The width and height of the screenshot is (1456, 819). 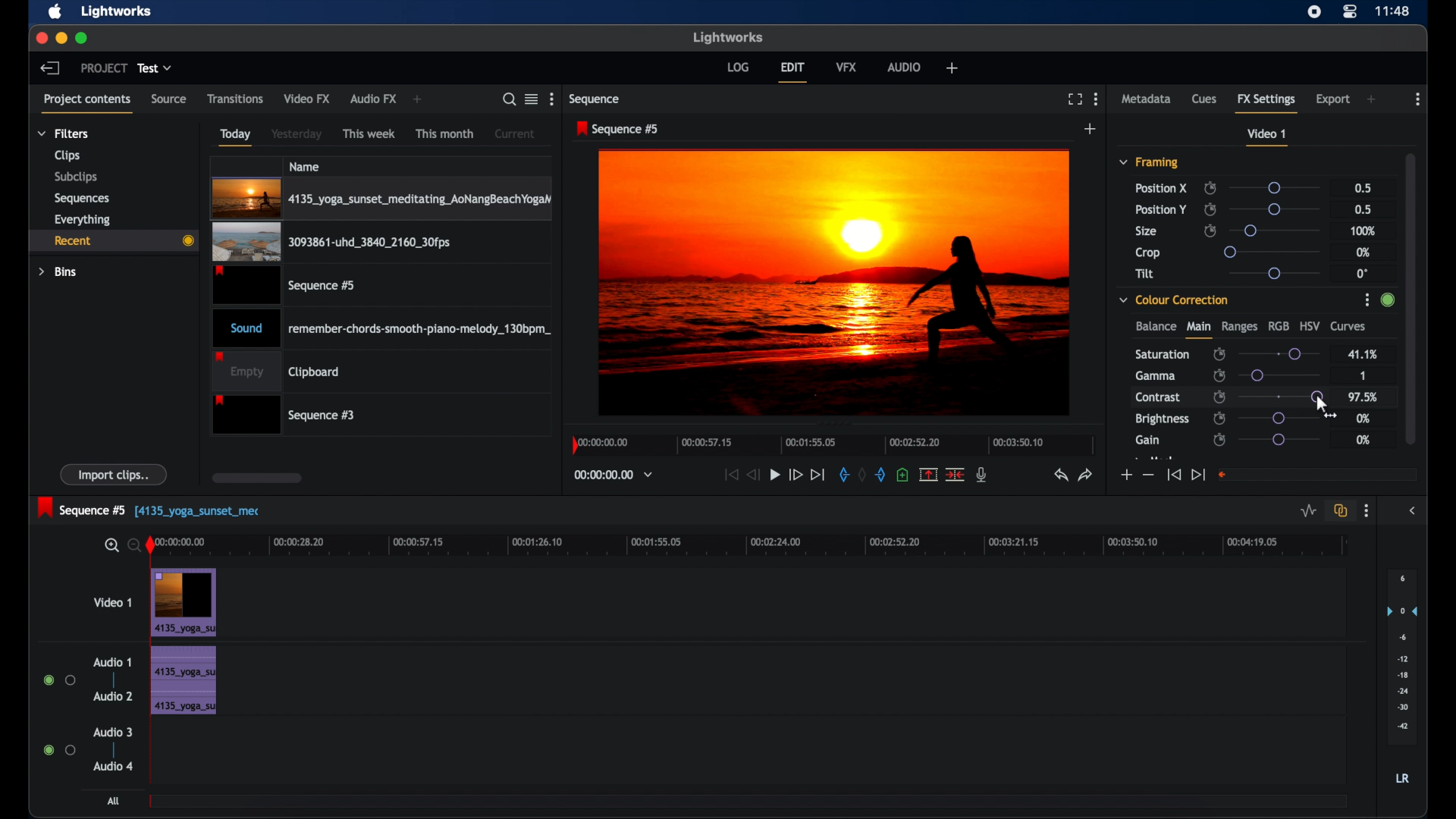 I want to click on tilt, so click(x=1145, y=274).